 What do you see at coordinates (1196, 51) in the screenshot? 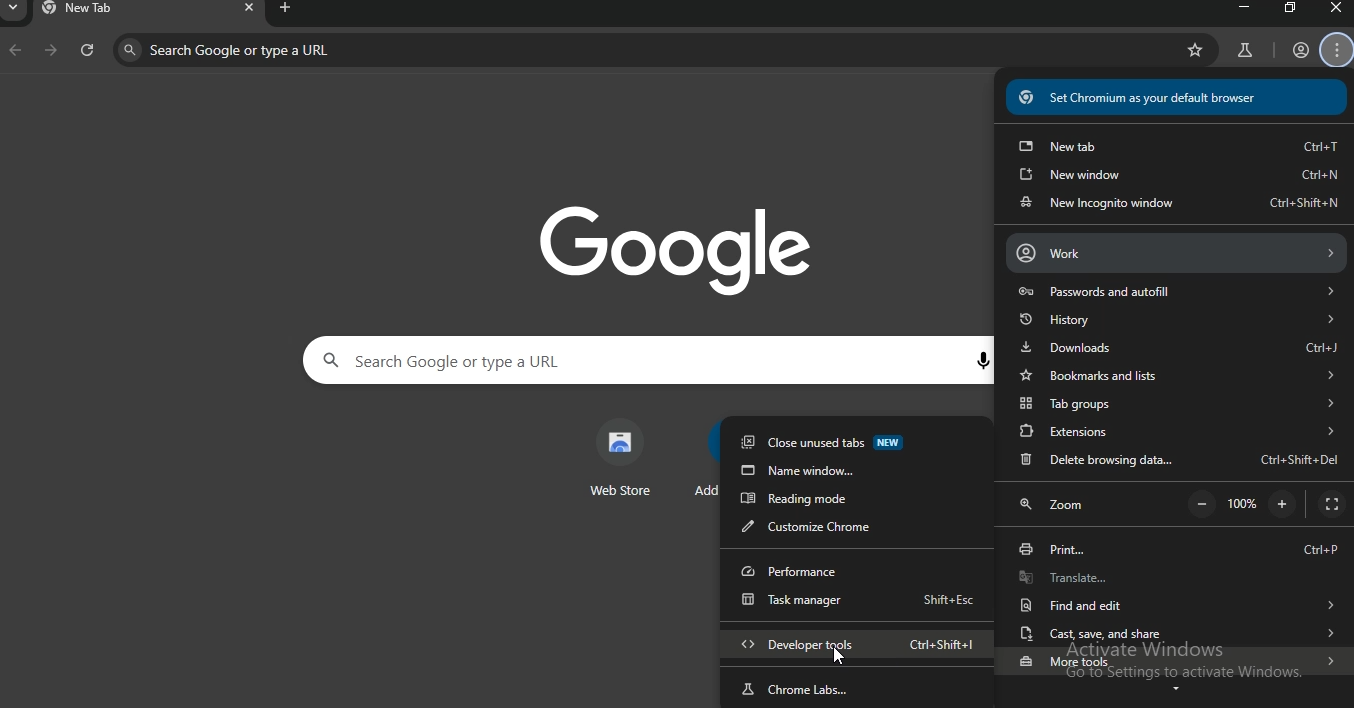
I see `bookmark page` at bounding box center [1196, 51].